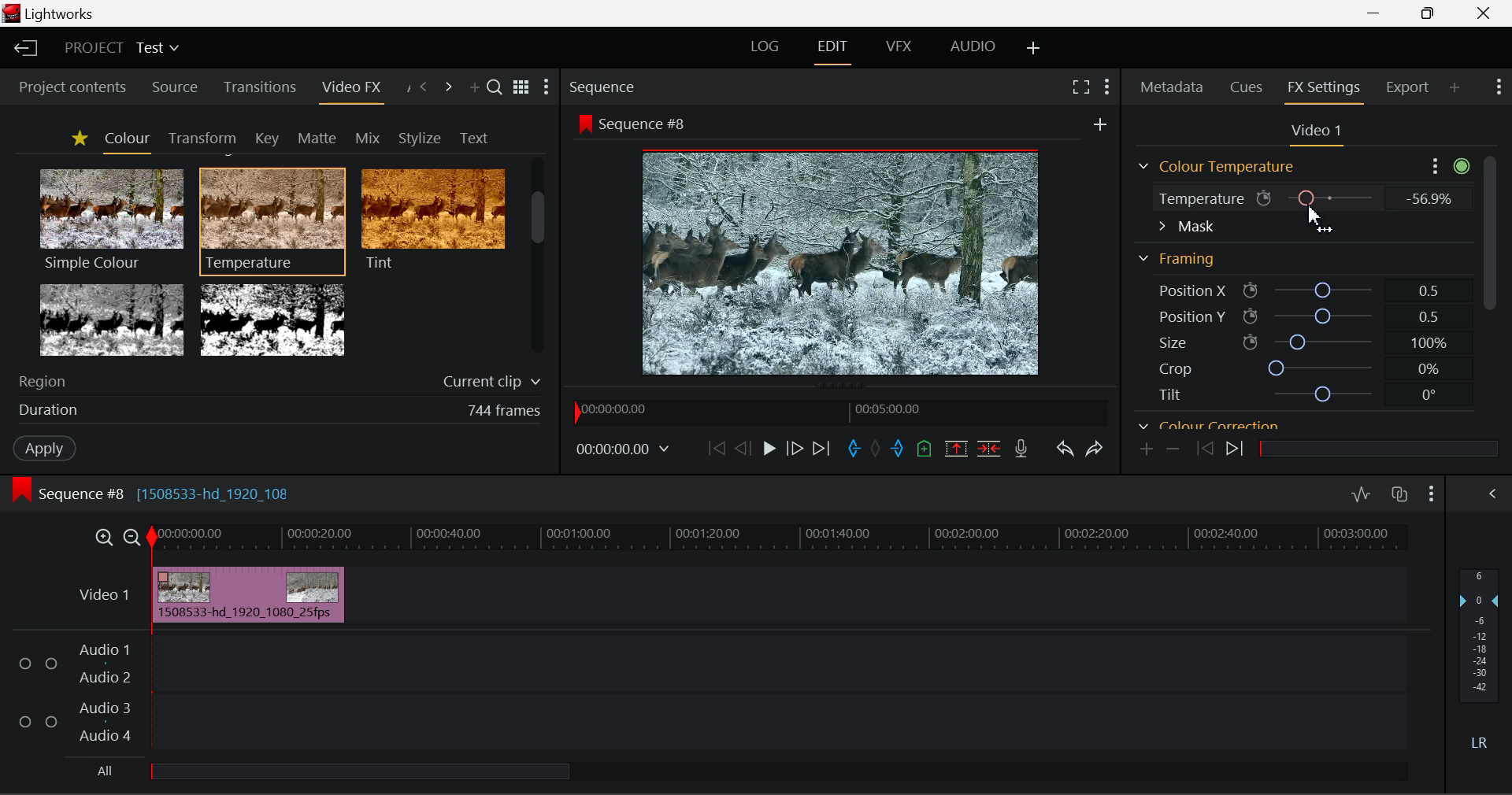  Describe the element at coordinates (973, 46) in the screenshot. I see `AUDIO Layout` at that location.